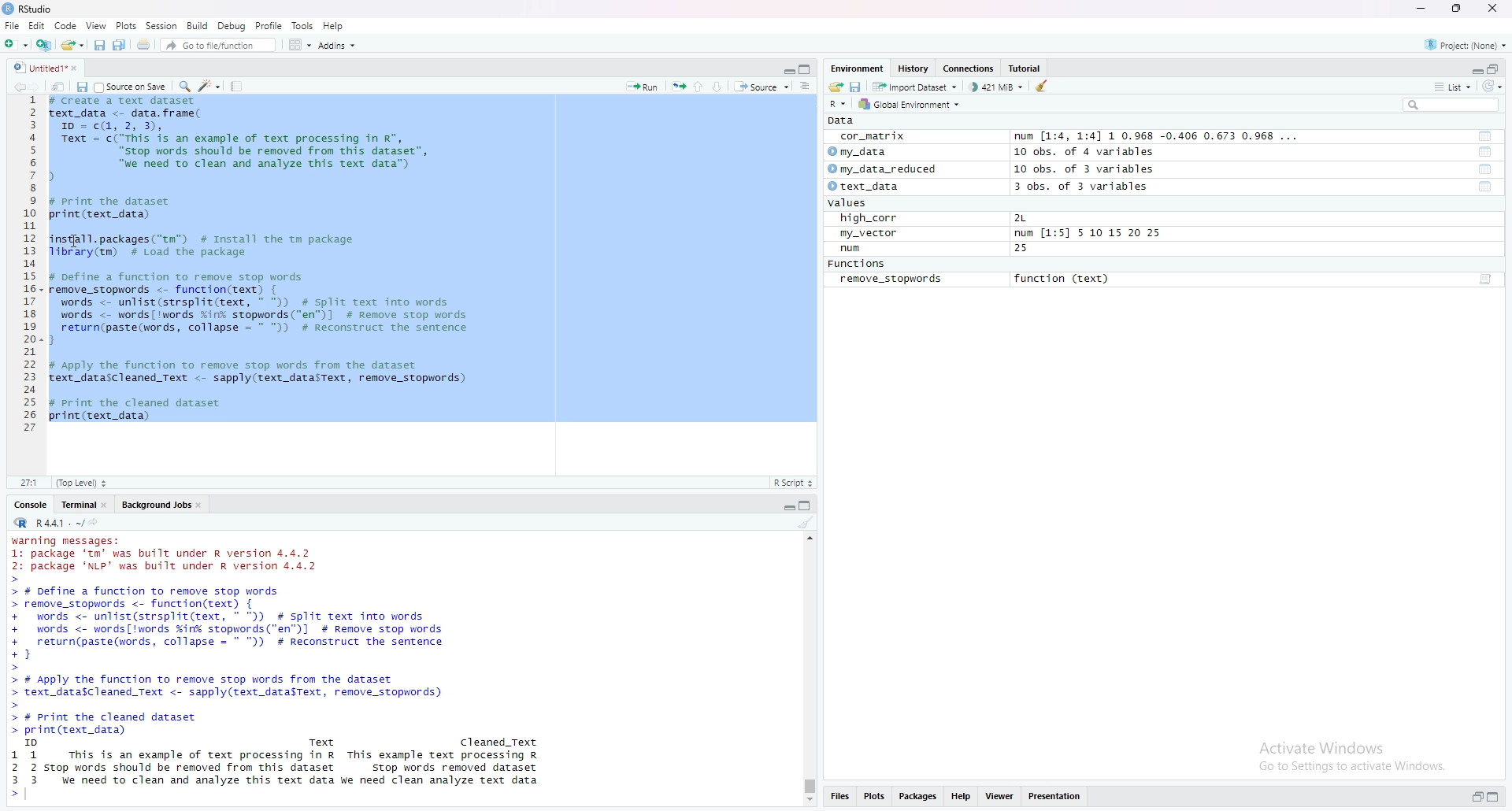 Image resolution: width=1512 pixels, height=811 pixels. I want to click on search, so click(1453, 105).